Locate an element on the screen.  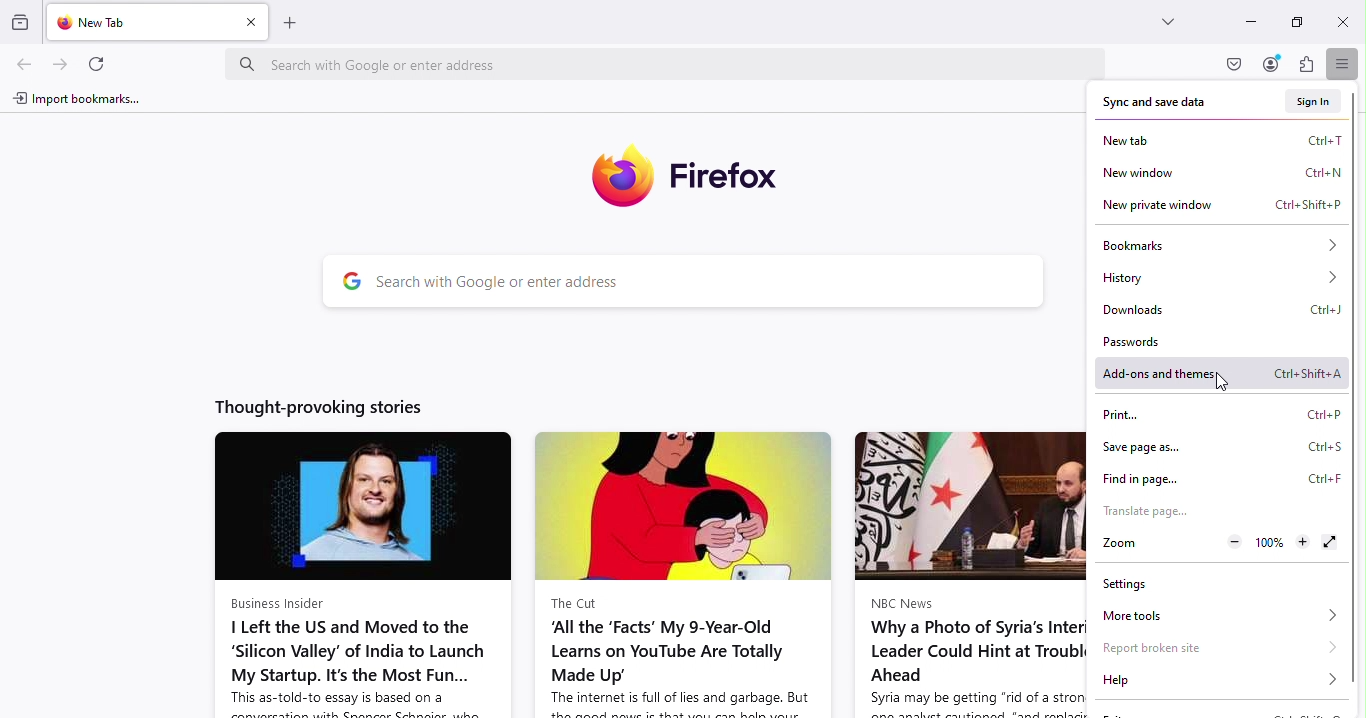
Bookmarks is located at coordinates (1217, 245).